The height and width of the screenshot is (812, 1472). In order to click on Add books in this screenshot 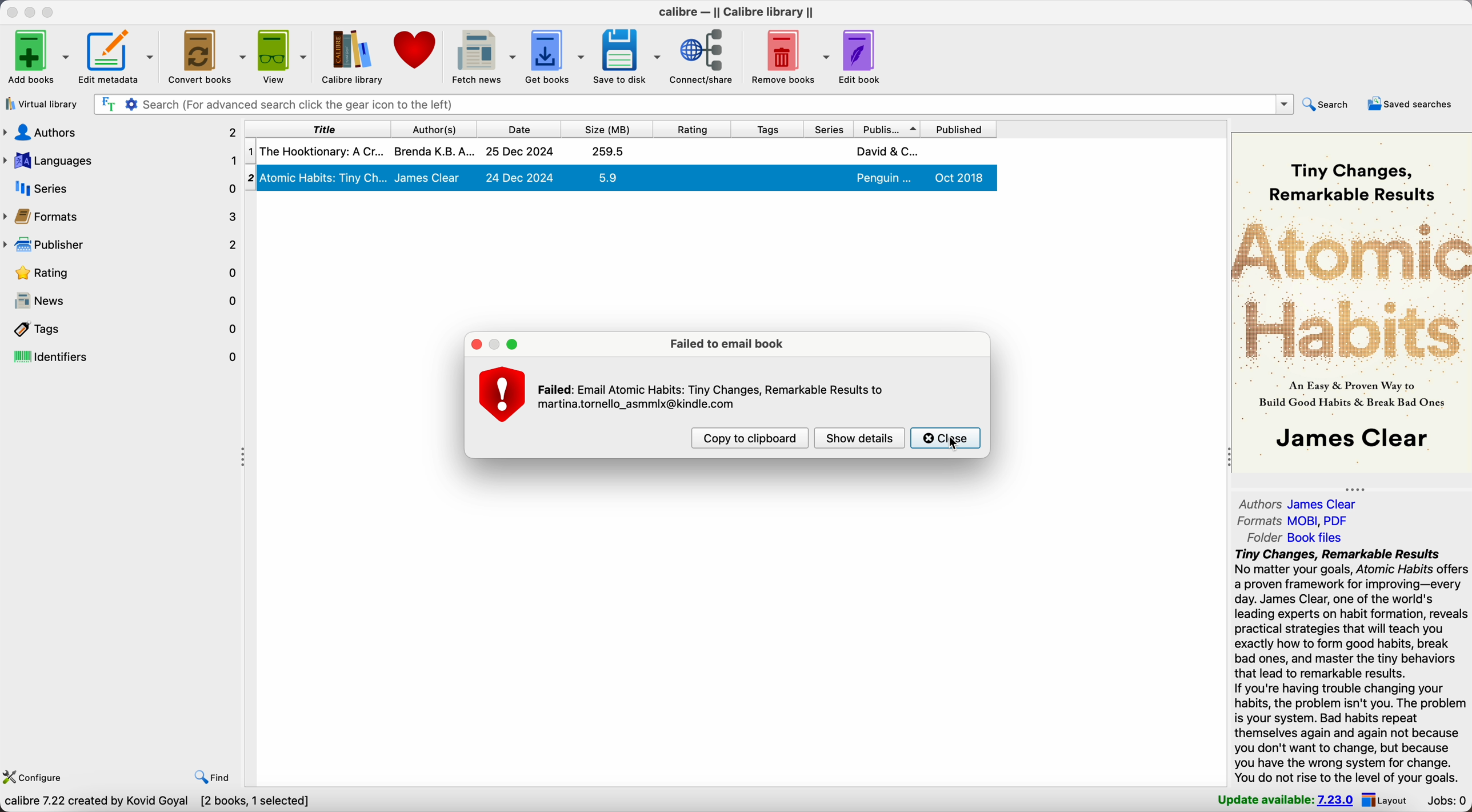, I will do `click(38, 56)`.